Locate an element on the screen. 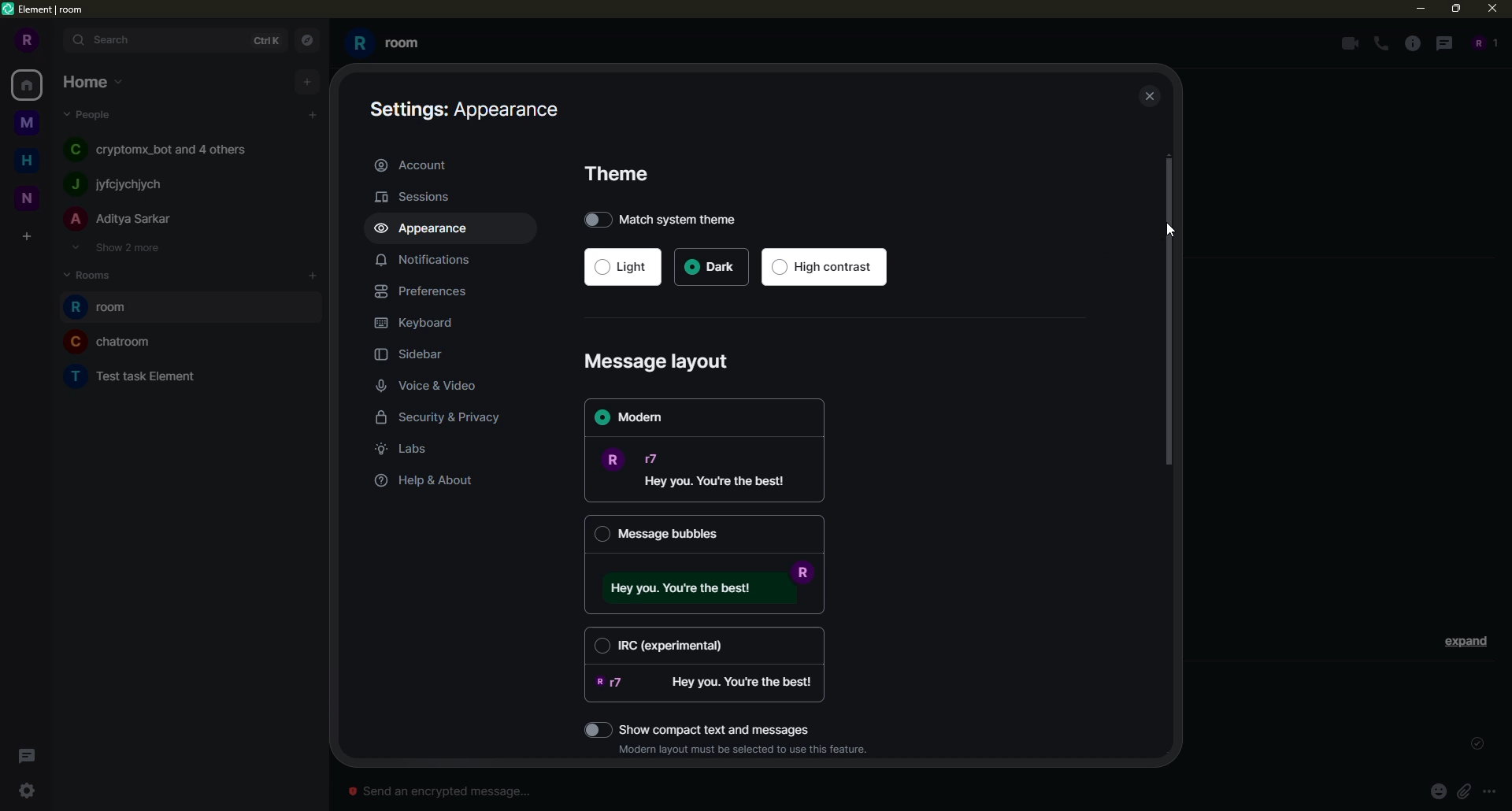 The width and height of the screenshot is (1512, 811). element is located at coordinates (46, 10).